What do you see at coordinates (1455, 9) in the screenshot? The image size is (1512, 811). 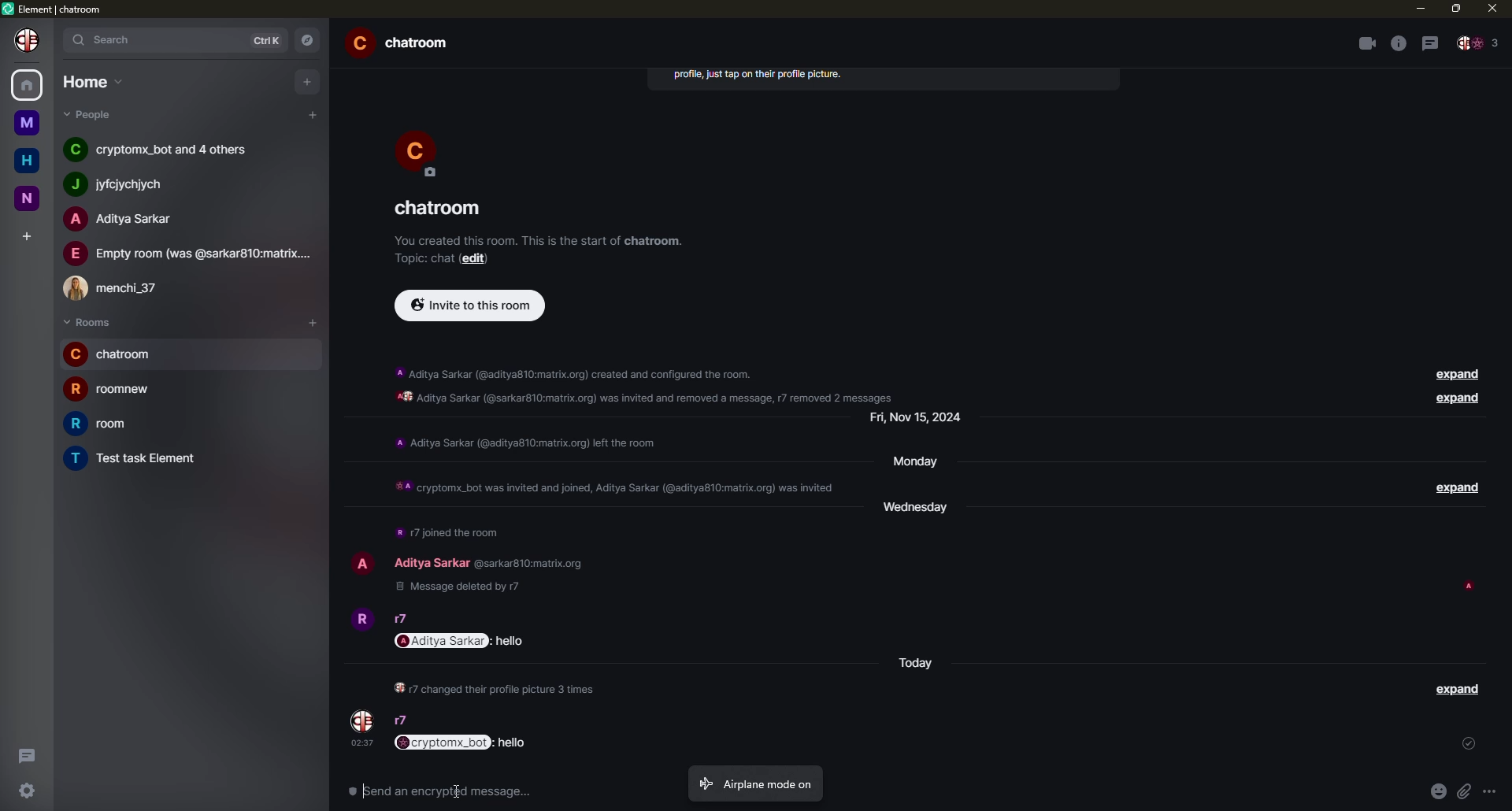 I see `max` at bounding box center [1455, 9].